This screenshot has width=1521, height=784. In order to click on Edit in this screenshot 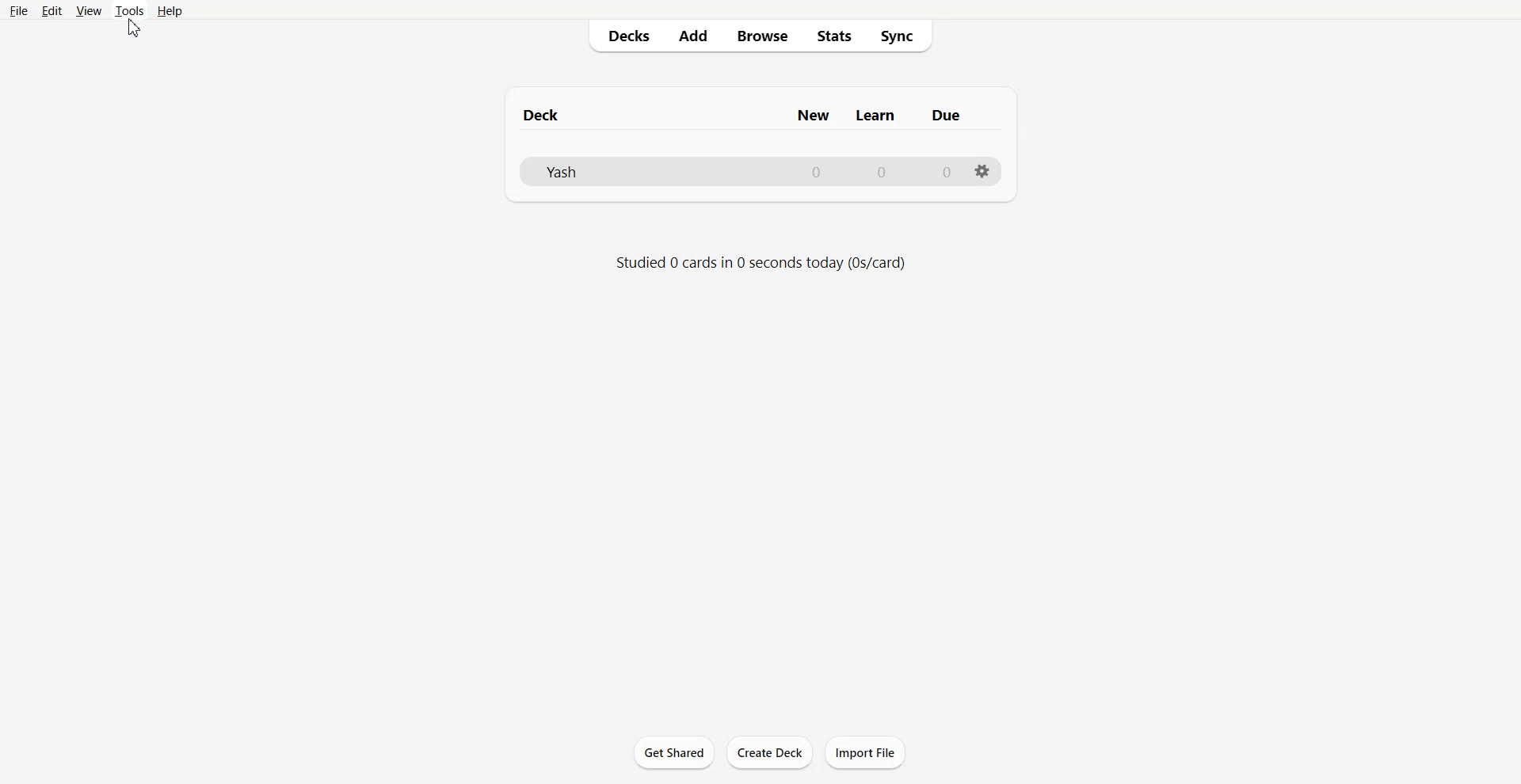, I will do `click(51, 11)`.